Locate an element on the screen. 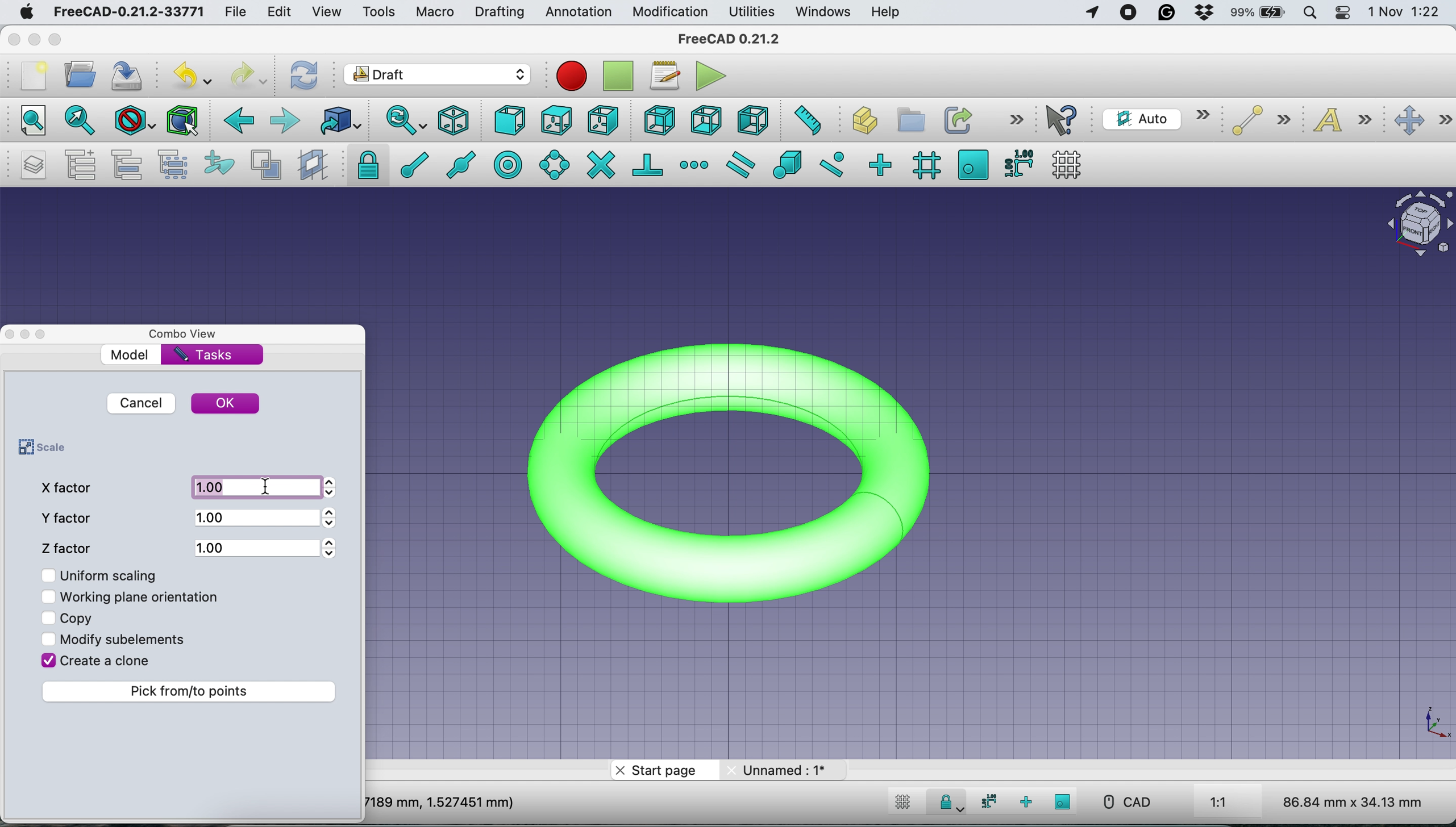 Image resolution: width=1456 pixels, height=827 pixels. stop debugging is located at coordinates (615, 76).